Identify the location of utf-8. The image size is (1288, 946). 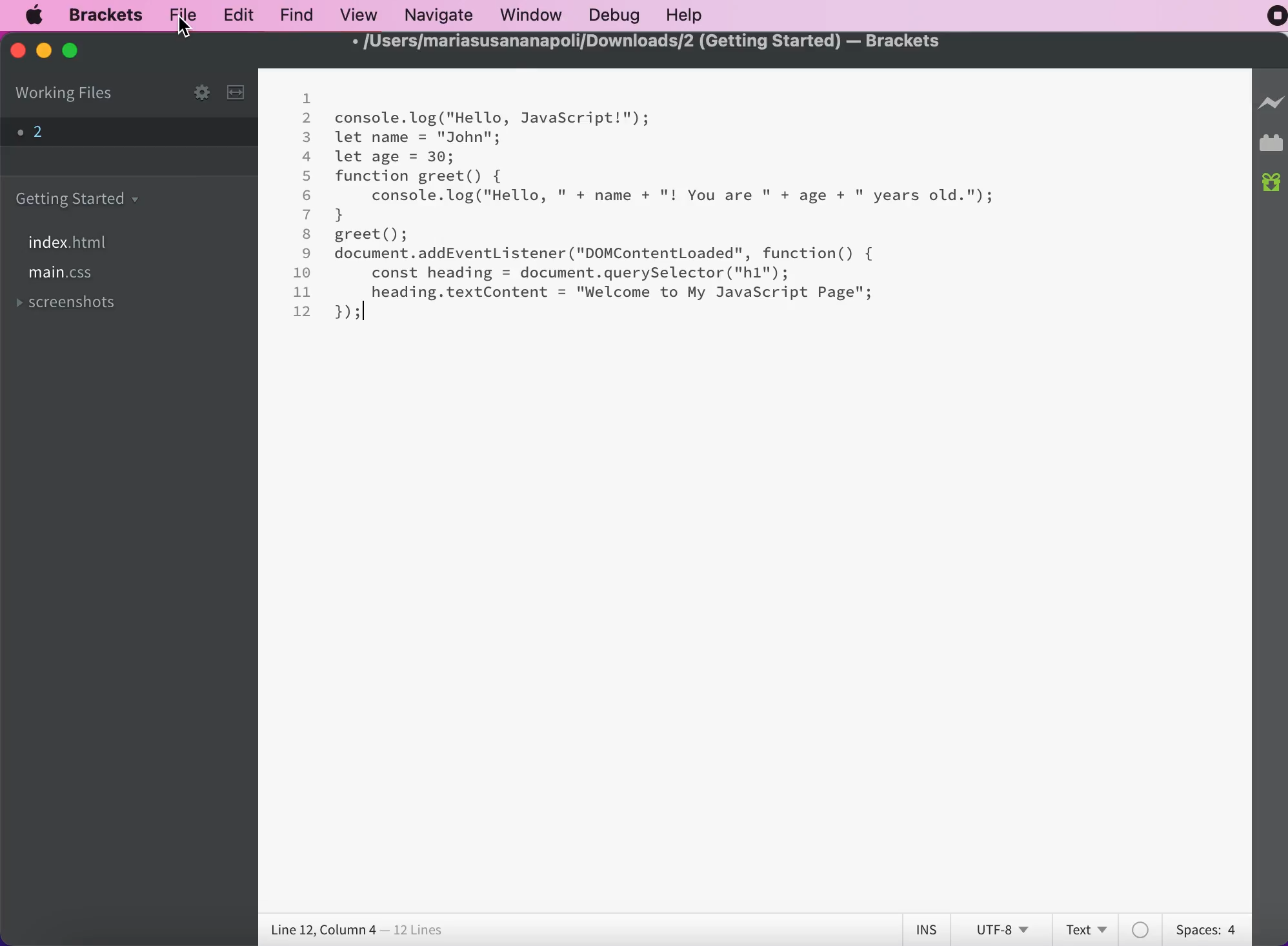
(1001, 929).